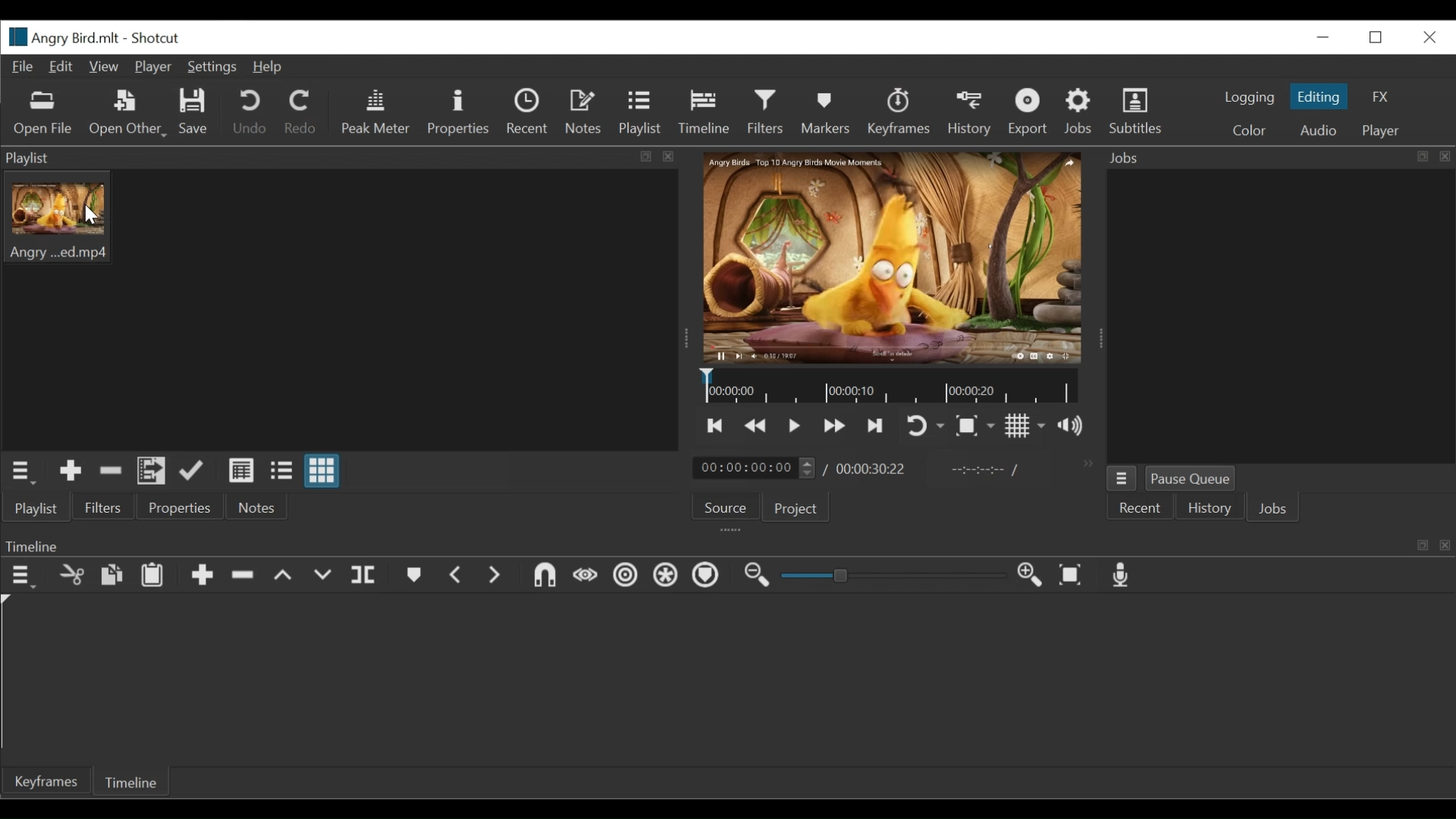 This screenshot has height=819, width=1456. Describe the element at coordinates (625, 577) in the screenshot. I see `Rippe` at that location.